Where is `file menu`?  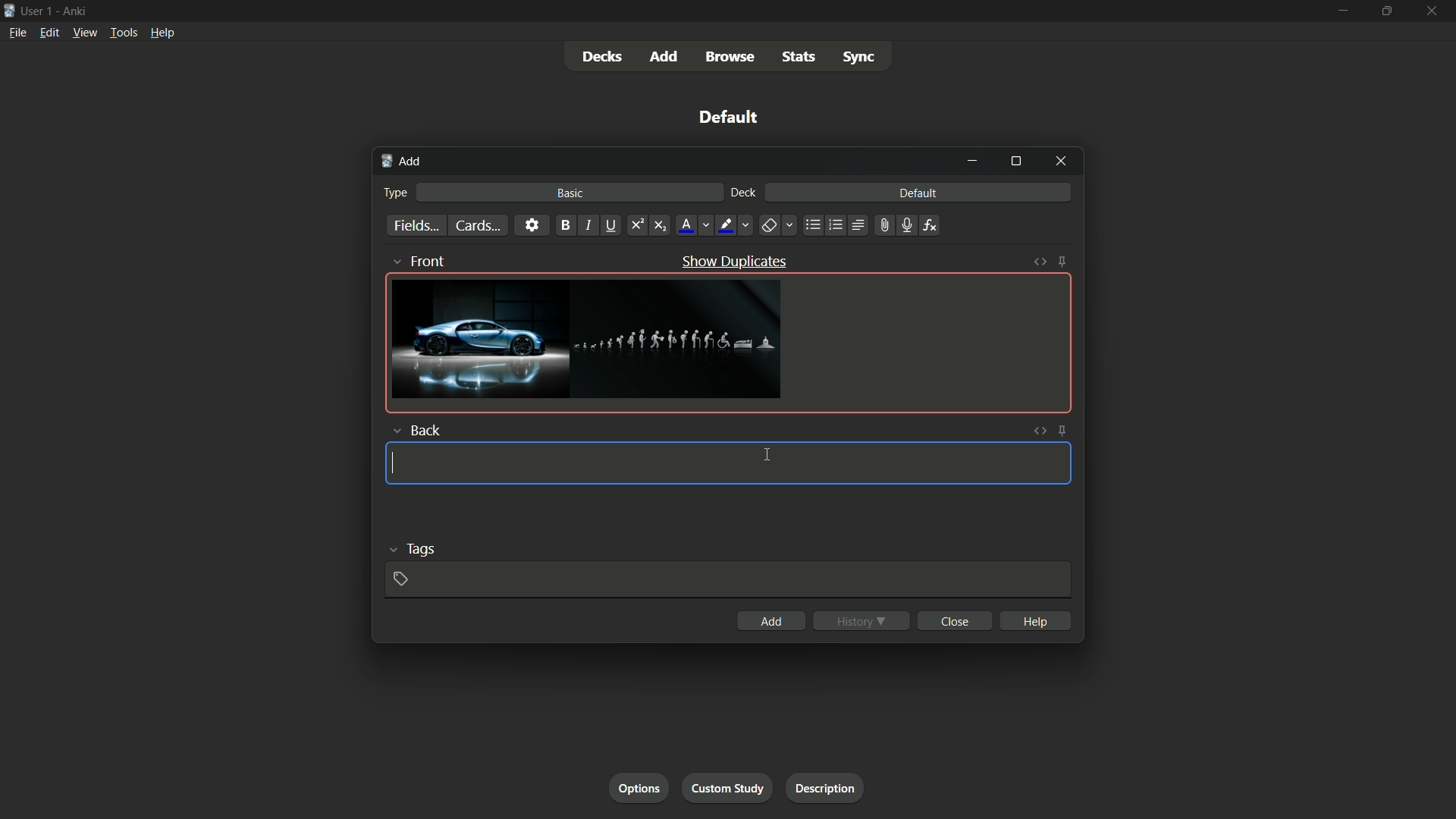
file menu is located at coordinates (16, 31).